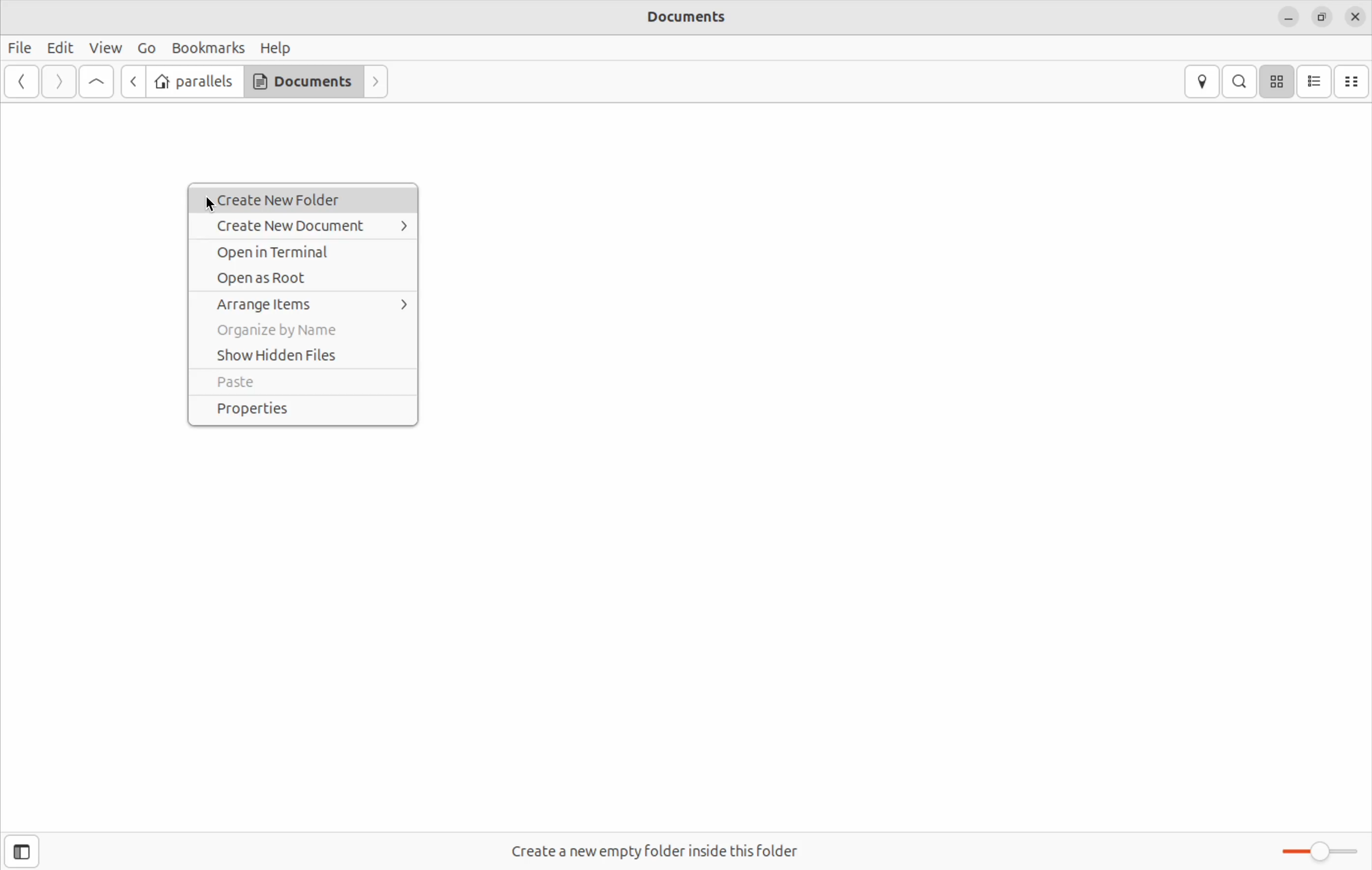  I want to click on location, so click(1202, 81).